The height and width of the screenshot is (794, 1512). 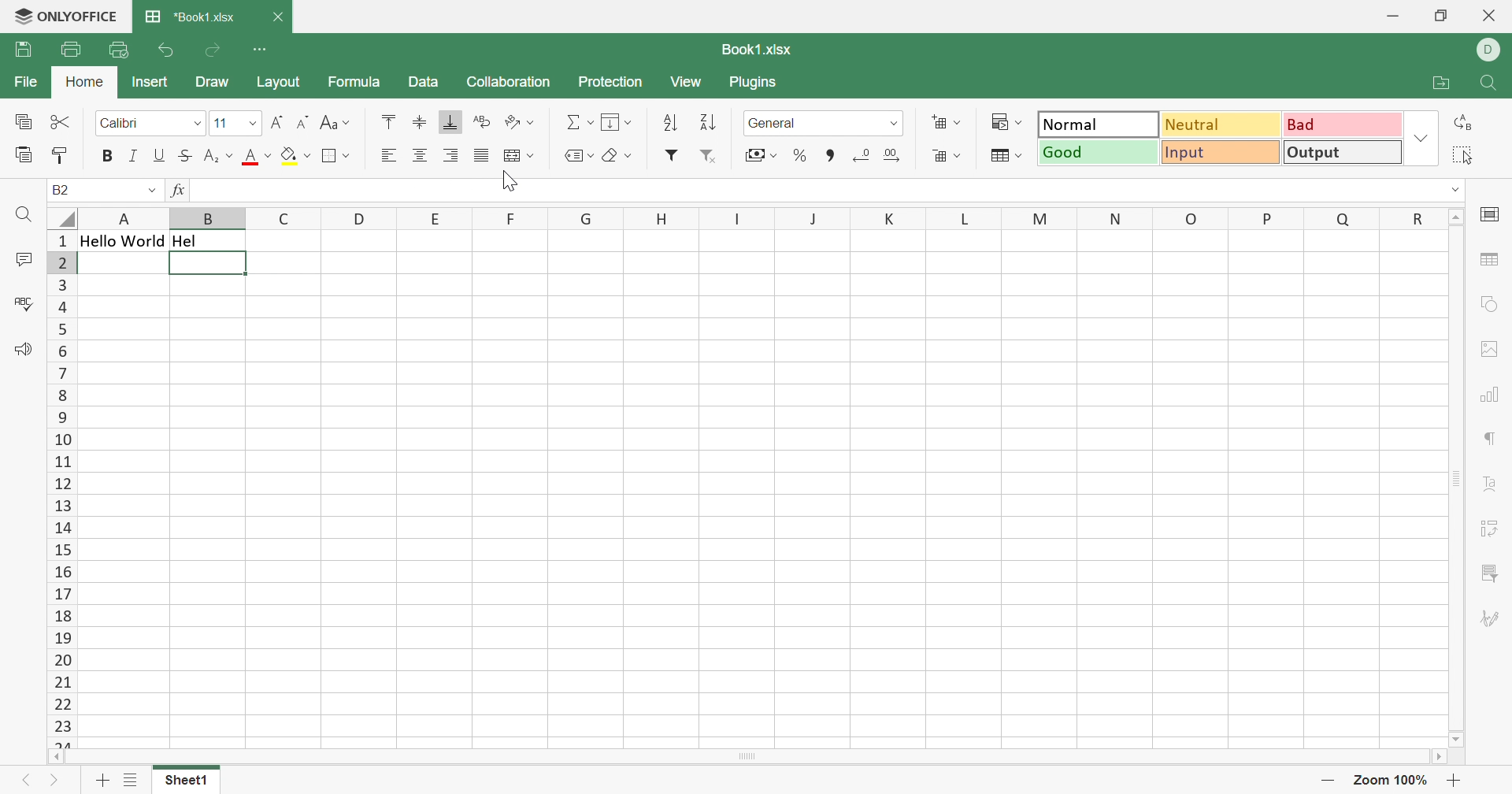 What do you see at coordinates (481, 121) in the screenshot?
I see `Wrap text` at bounding box center [481, 121].